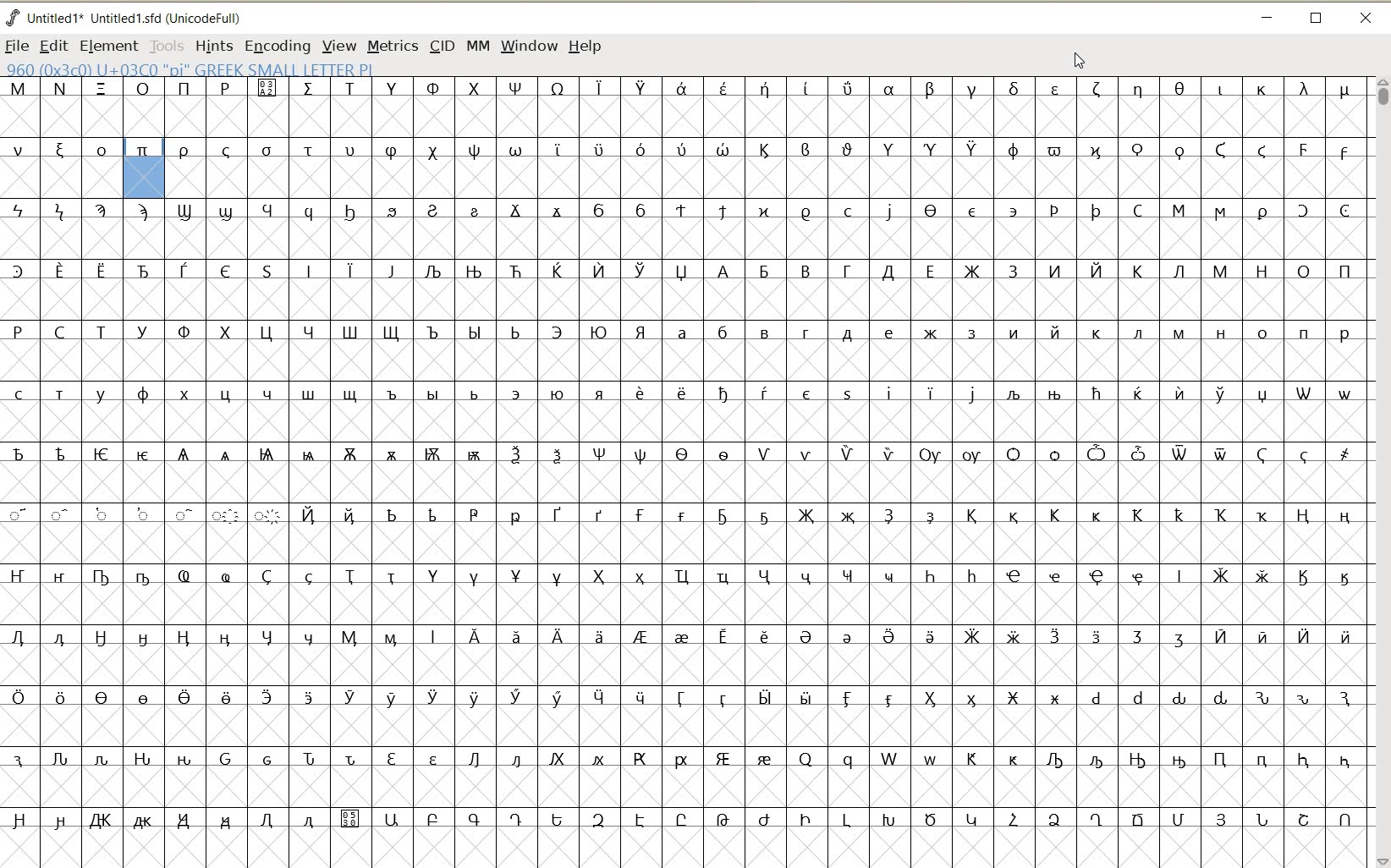 The image size is (1391, 868). I want to click on VIEW, so click(339, 45).